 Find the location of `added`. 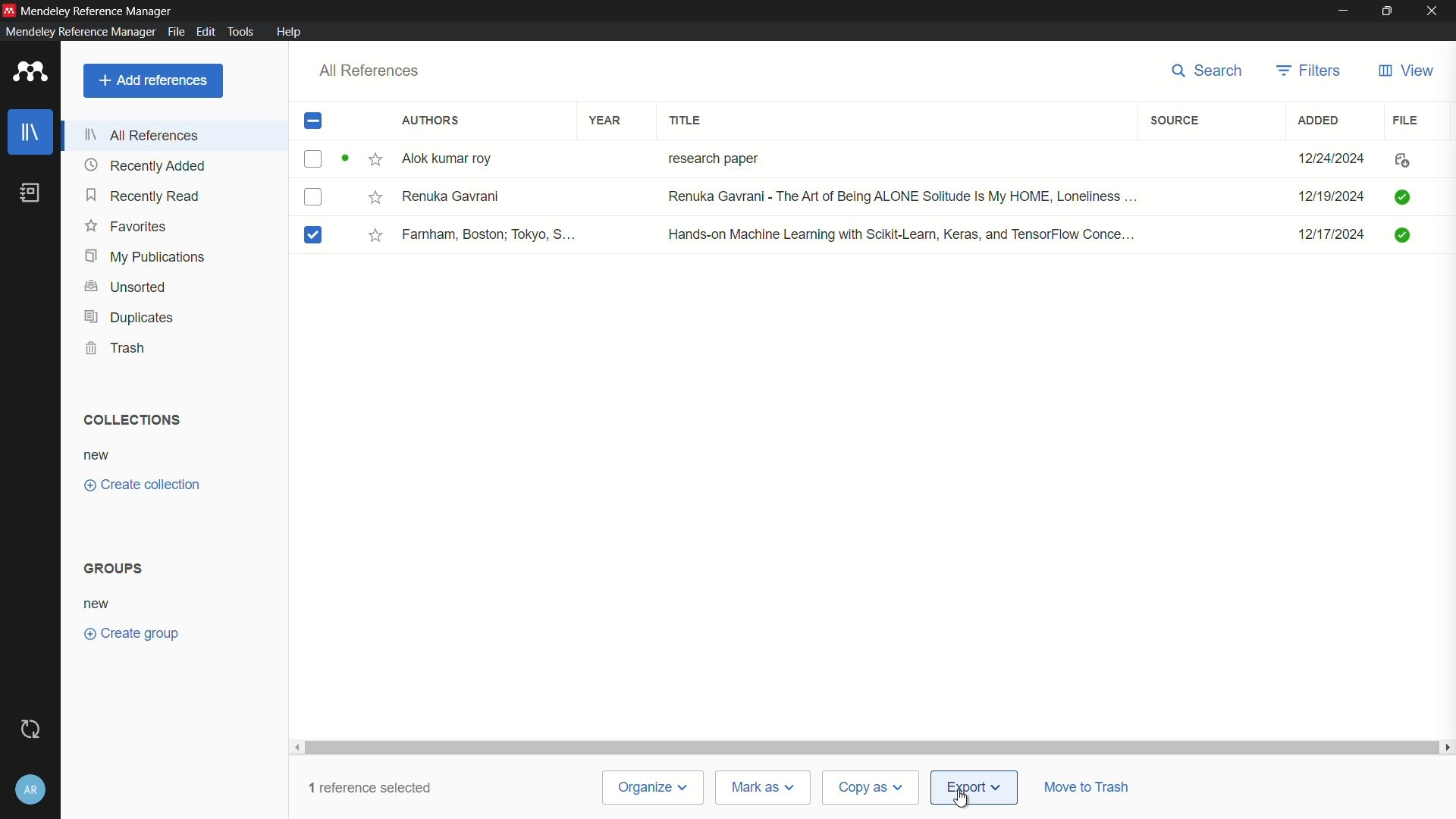

added is located at coordinates (1319, 121).